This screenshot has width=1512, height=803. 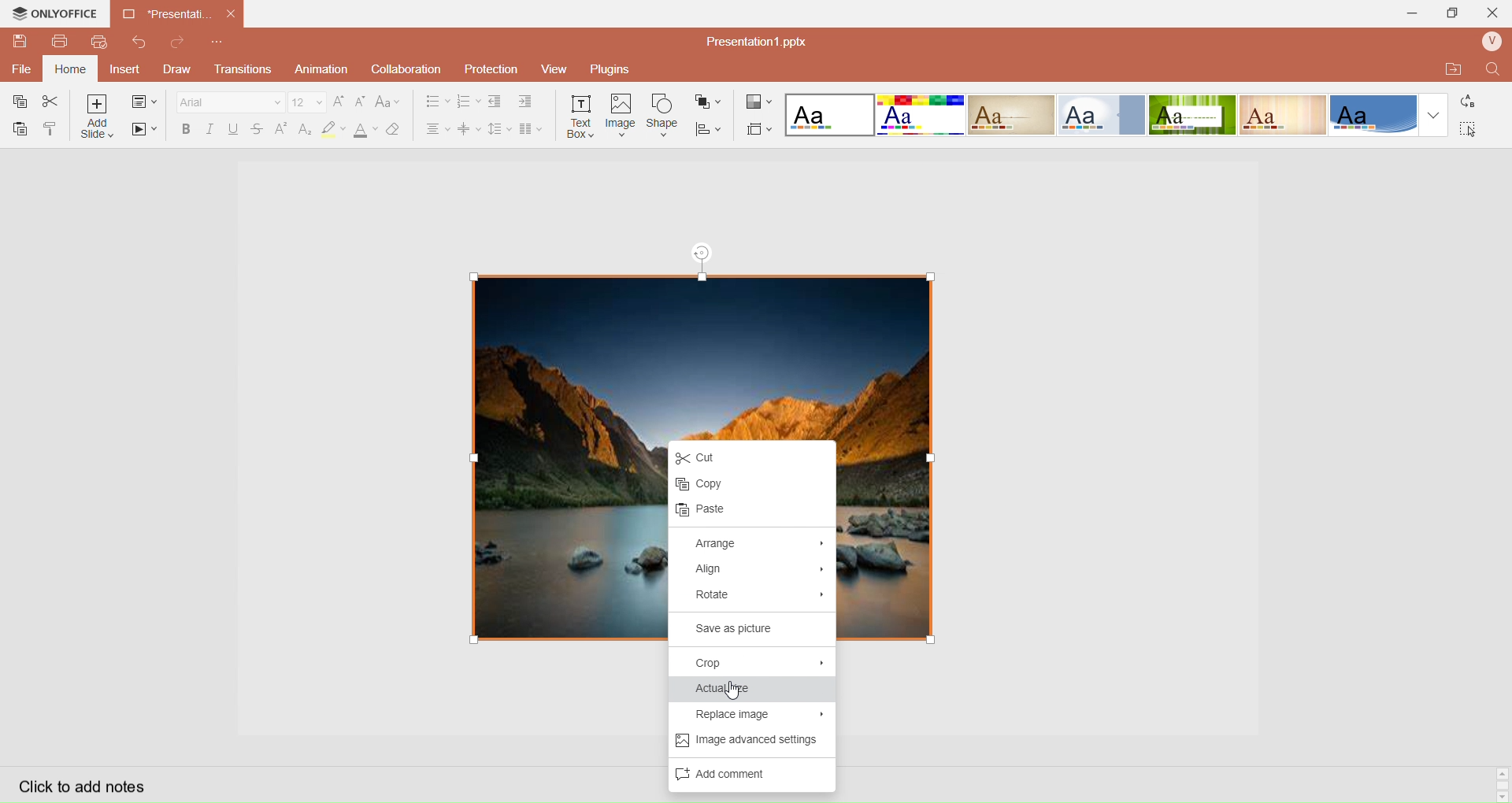 I want to click on Animation, so click(x=323, y=70).